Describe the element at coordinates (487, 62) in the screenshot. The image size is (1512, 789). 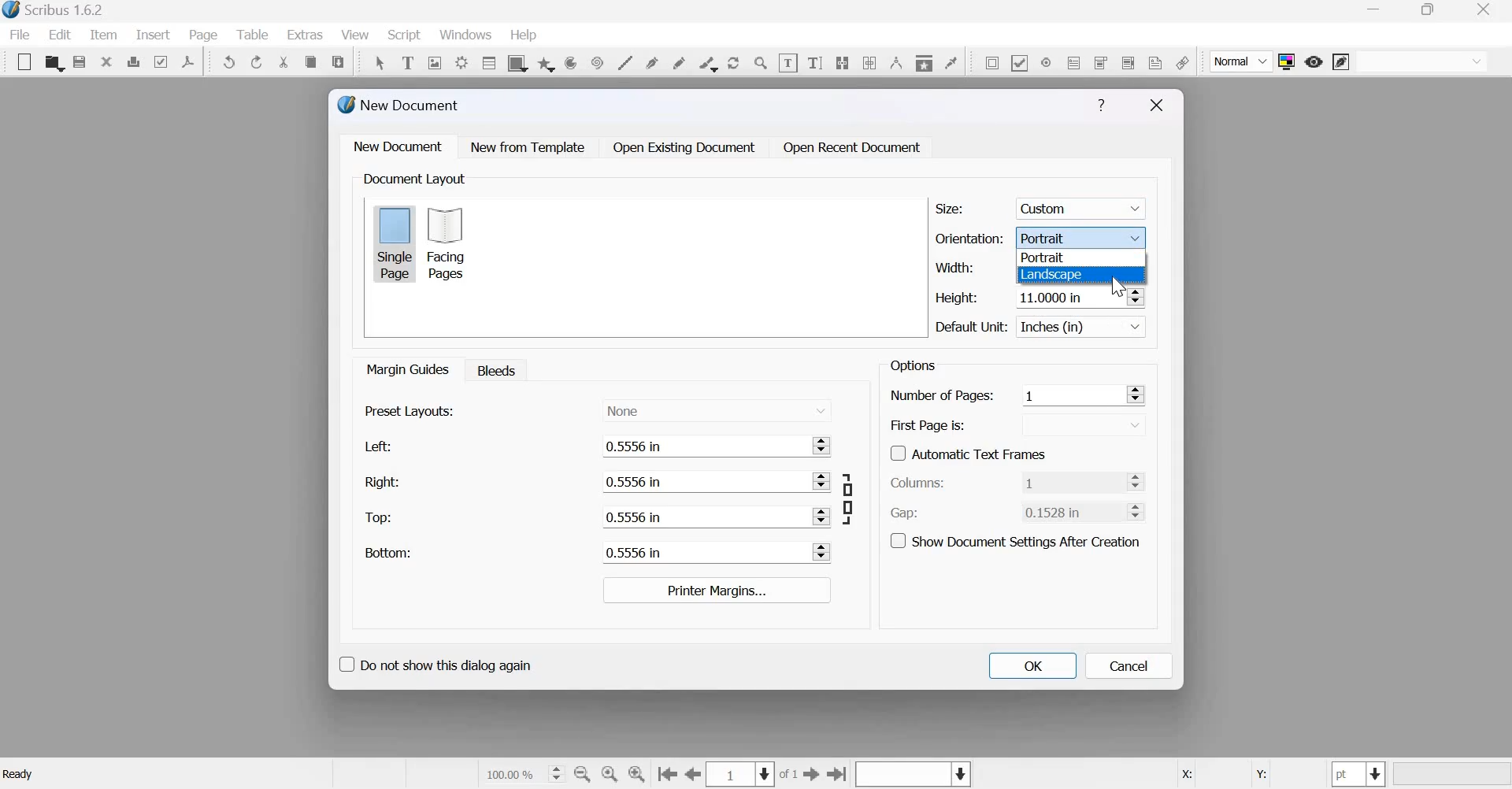
I see `table` at that location.